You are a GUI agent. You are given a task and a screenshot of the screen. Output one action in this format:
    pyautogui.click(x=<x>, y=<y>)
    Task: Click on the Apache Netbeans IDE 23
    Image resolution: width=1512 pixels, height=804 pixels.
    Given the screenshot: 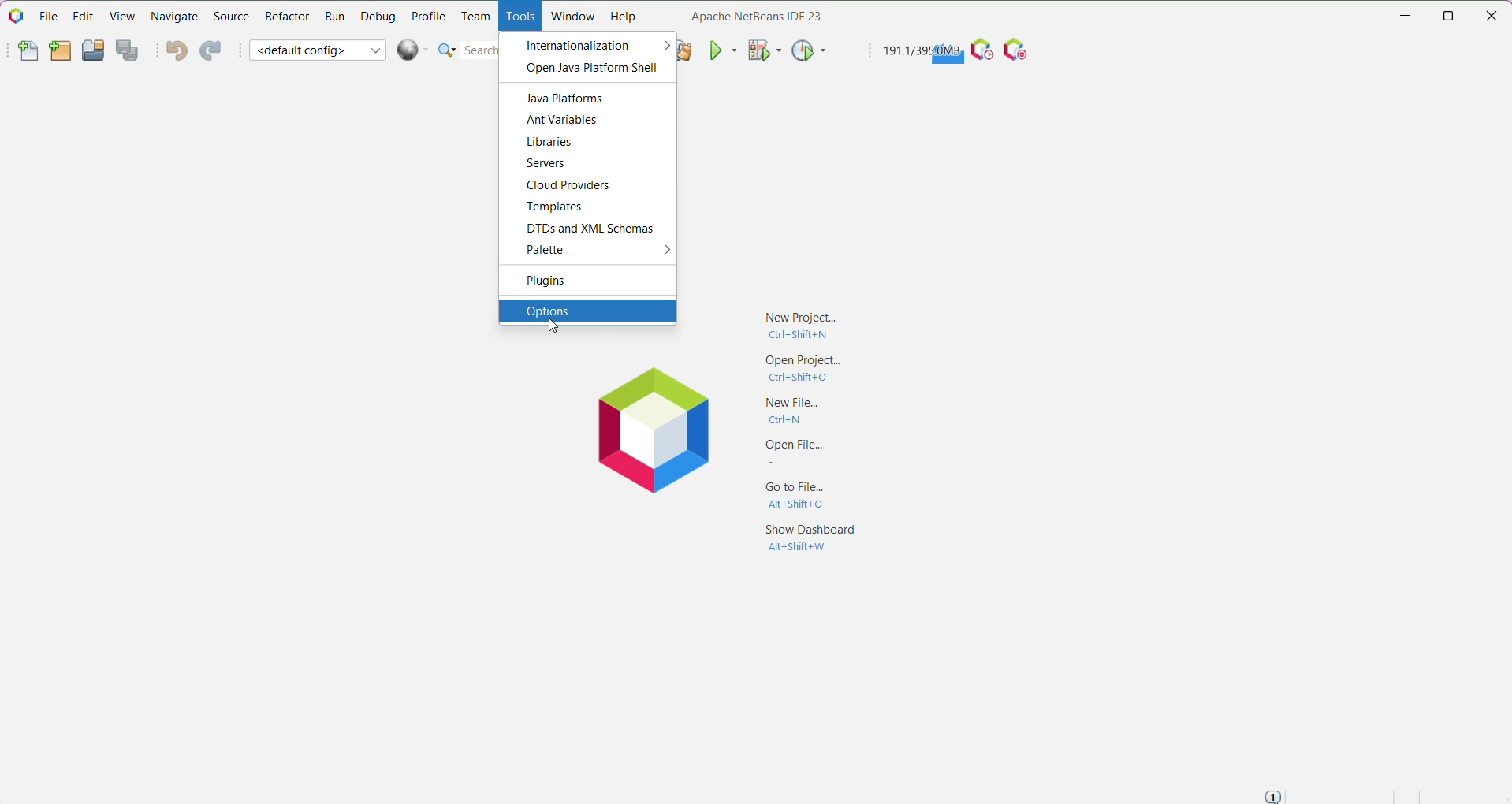 What is the action you would take?
    pyautogui.click(x=751, y=17)
    